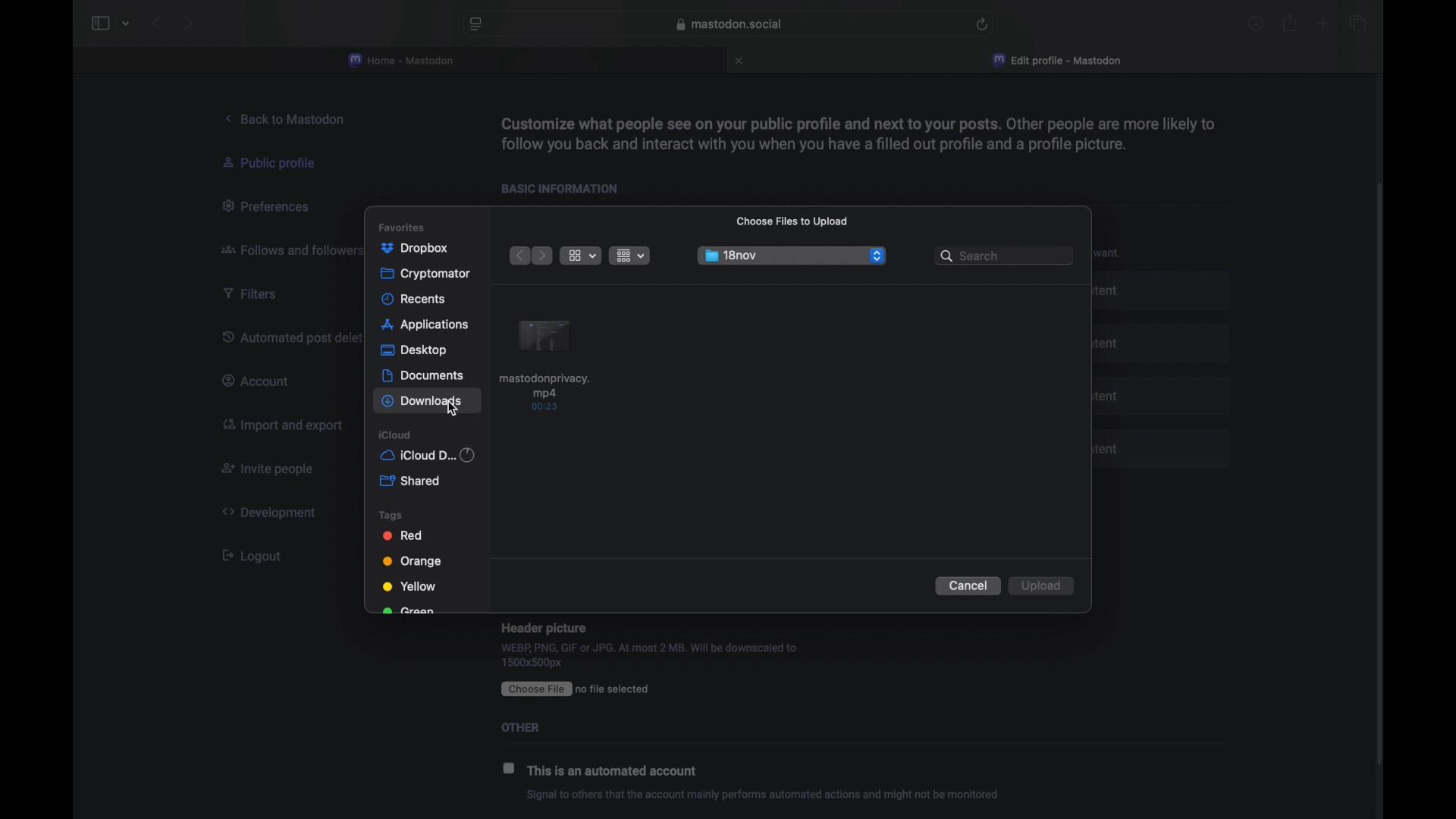  What do you see at coordinates (1357, 23) in the screenshot?
I see `show tab overview` at bounding box center [1357, 23].